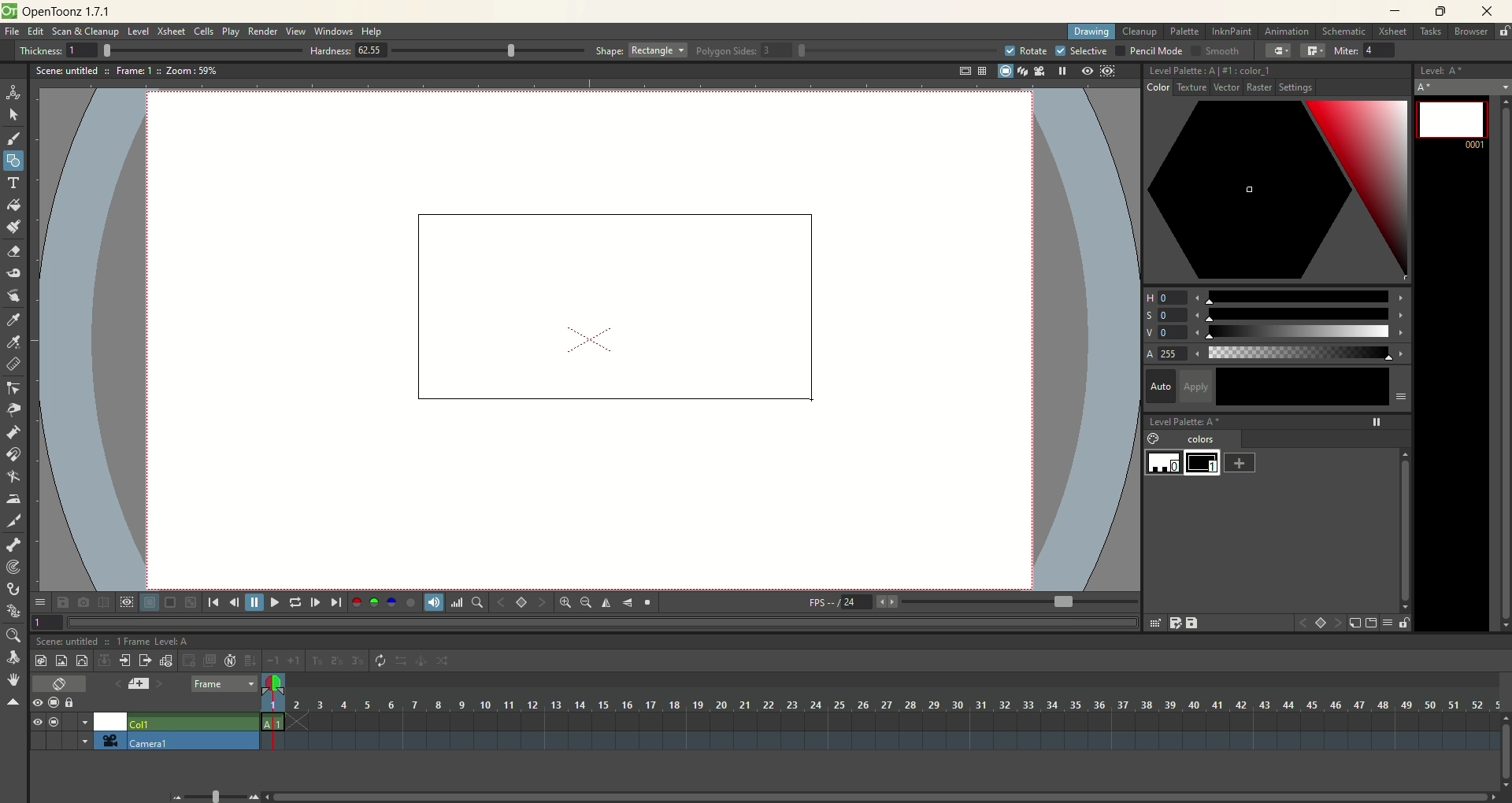  What do you see at coordinates (296, 31) in the screenshot?
I see `view` at bounding box center [296, 31].